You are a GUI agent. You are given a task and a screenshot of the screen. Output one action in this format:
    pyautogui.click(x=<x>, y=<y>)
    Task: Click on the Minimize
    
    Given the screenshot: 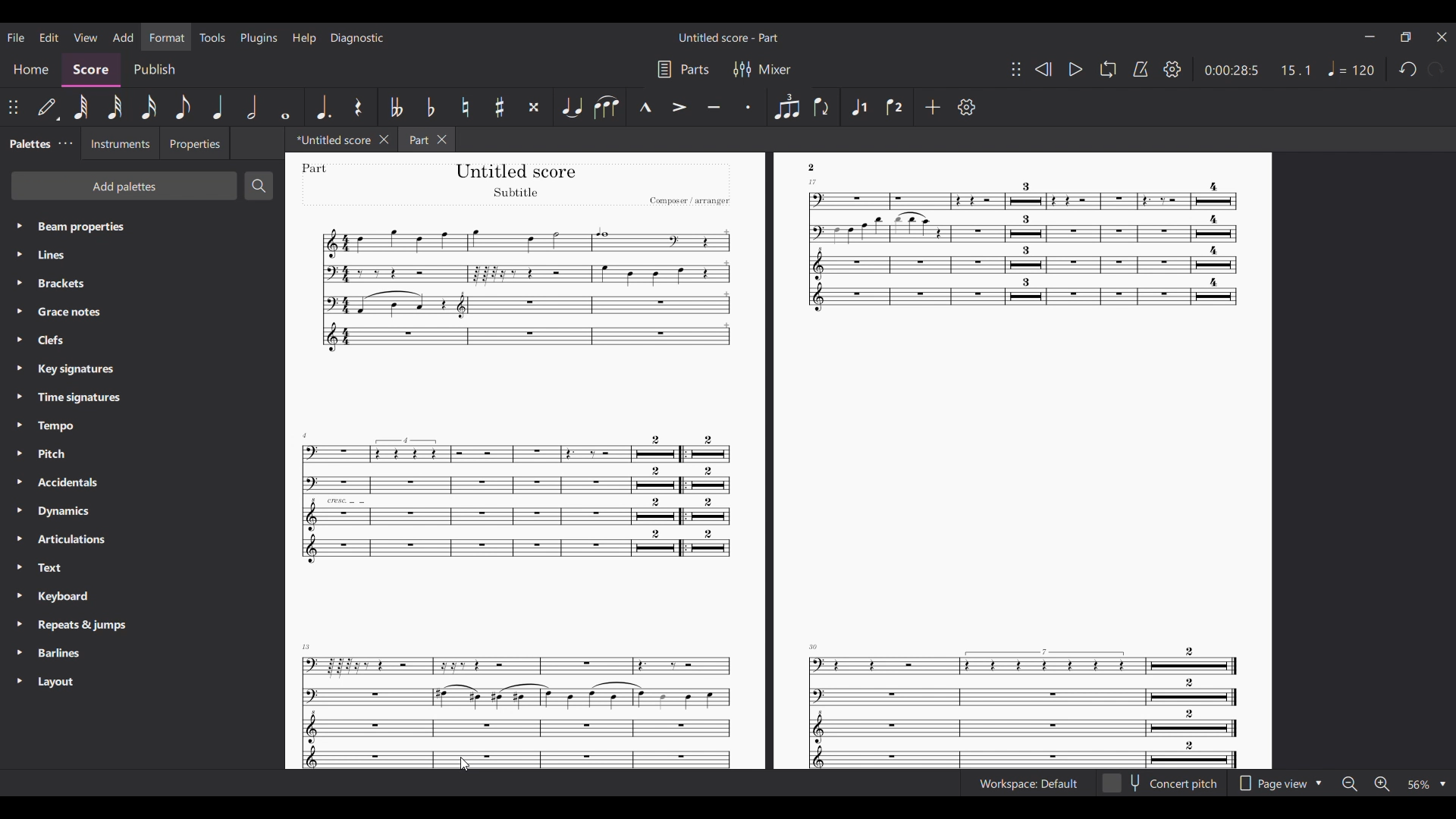 What is the action you would take?
    pyautogui.click(x=1370, y=36)
    